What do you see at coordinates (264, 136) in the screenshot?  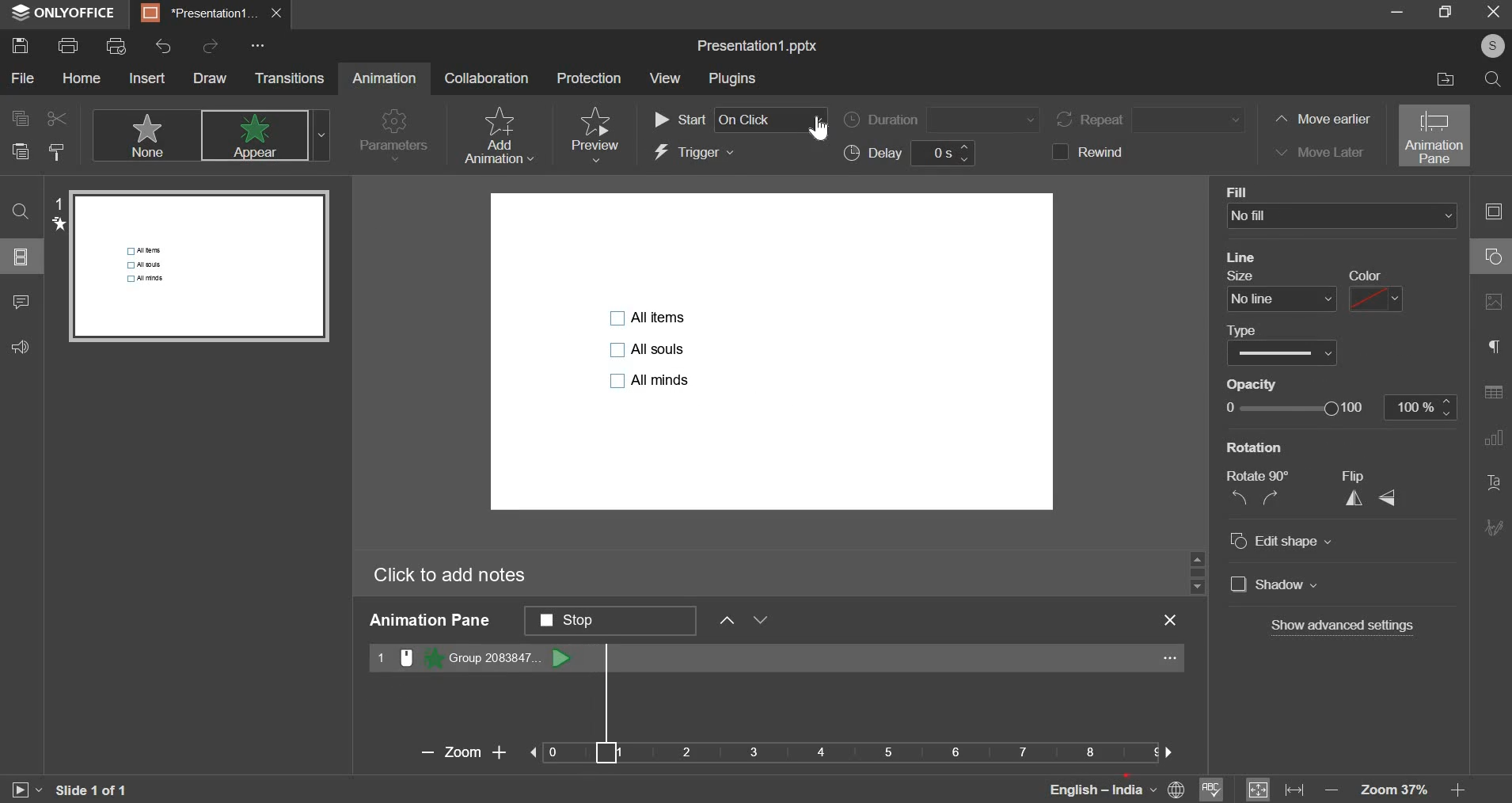 I see `appear` at bounding box center [264, 136].